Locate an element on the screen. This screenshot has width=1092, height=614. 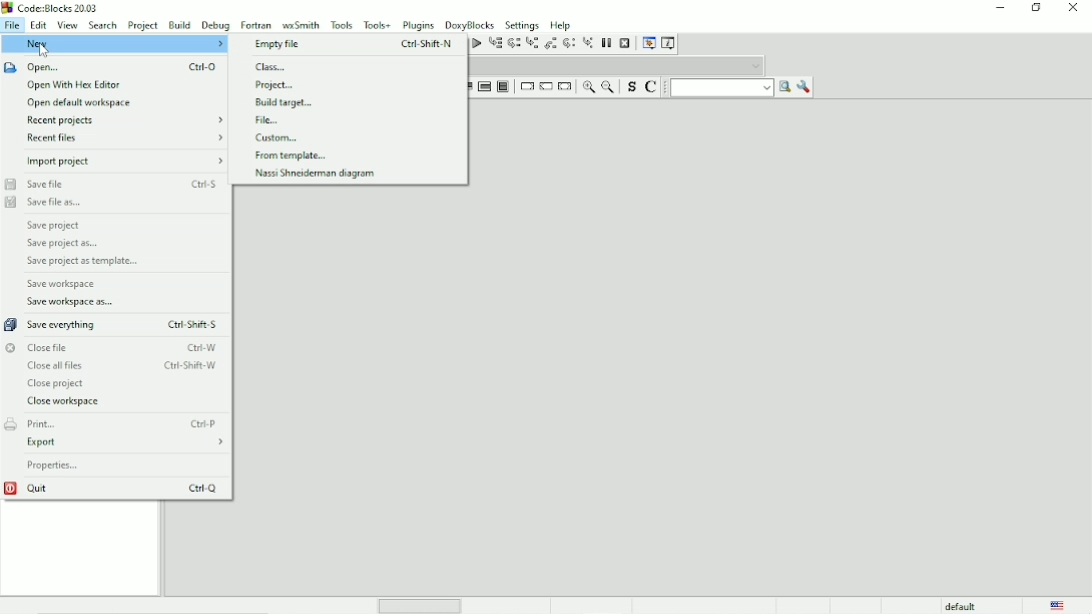
Search is located at coordinates (103, 25).